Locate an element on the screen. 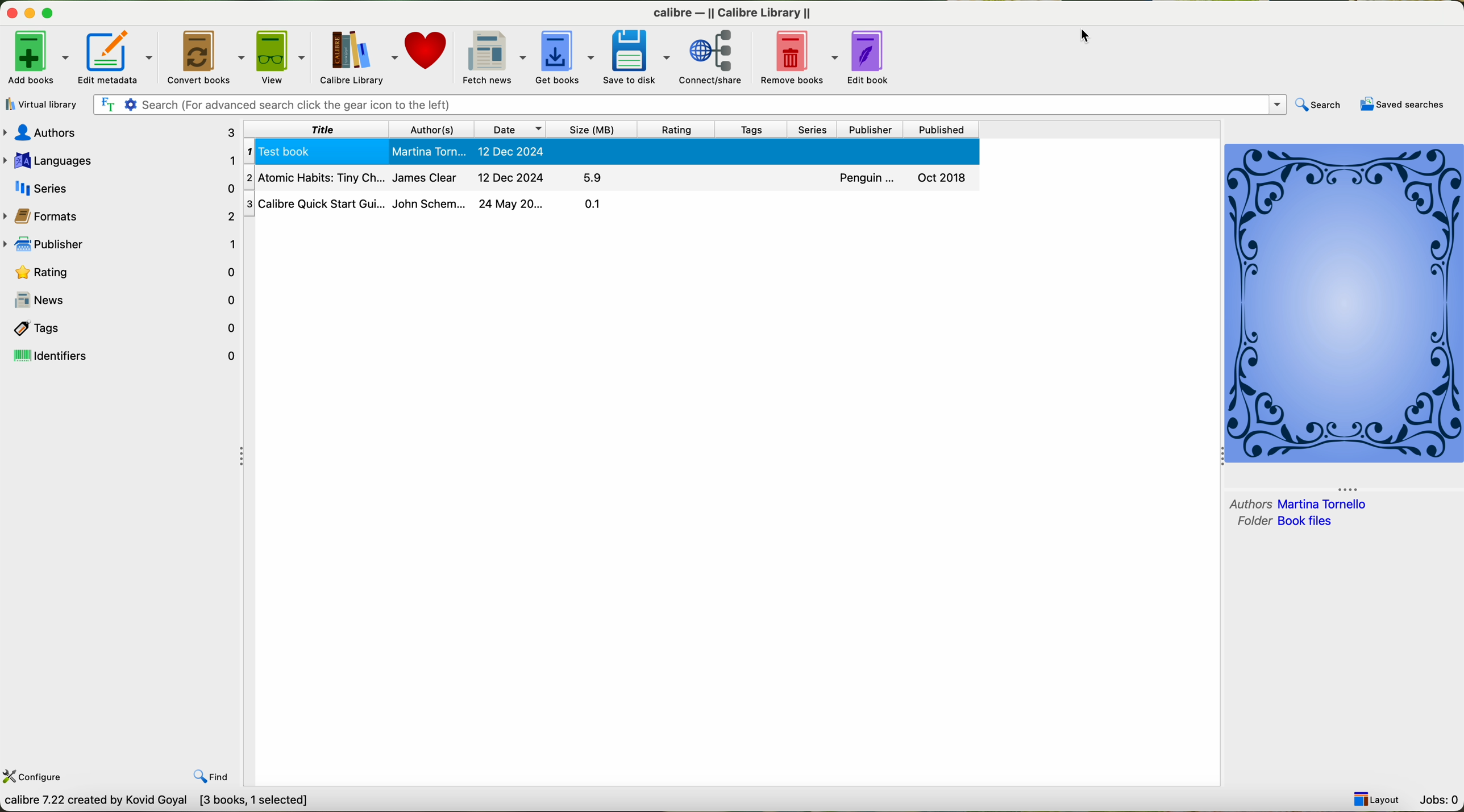 Image resolution: width=1464 pixels, height=812 pixels. search is located at coordinates (1321, 103).